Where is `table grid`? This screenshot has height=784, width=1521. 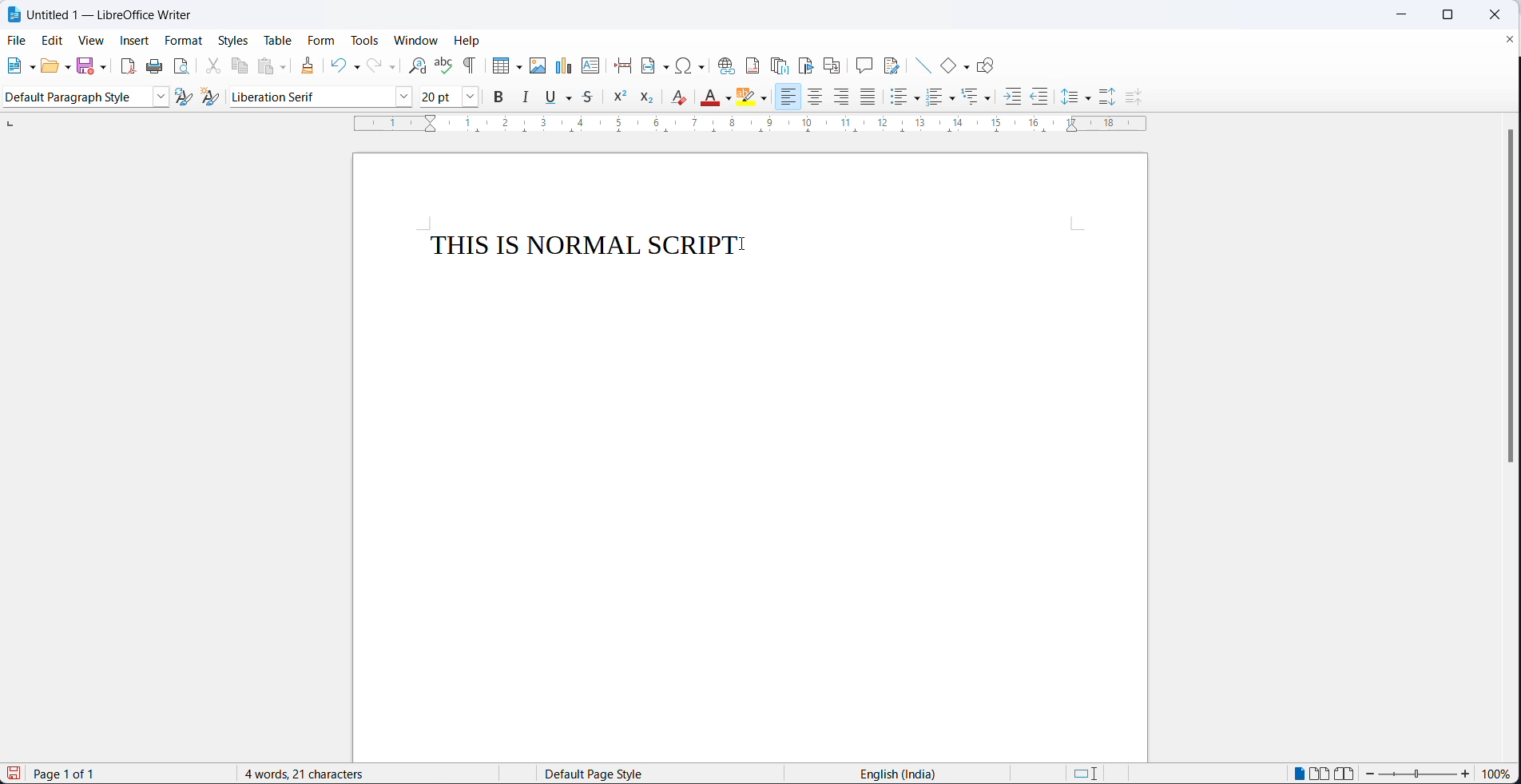 table grid is located at coordinates (518, 67).